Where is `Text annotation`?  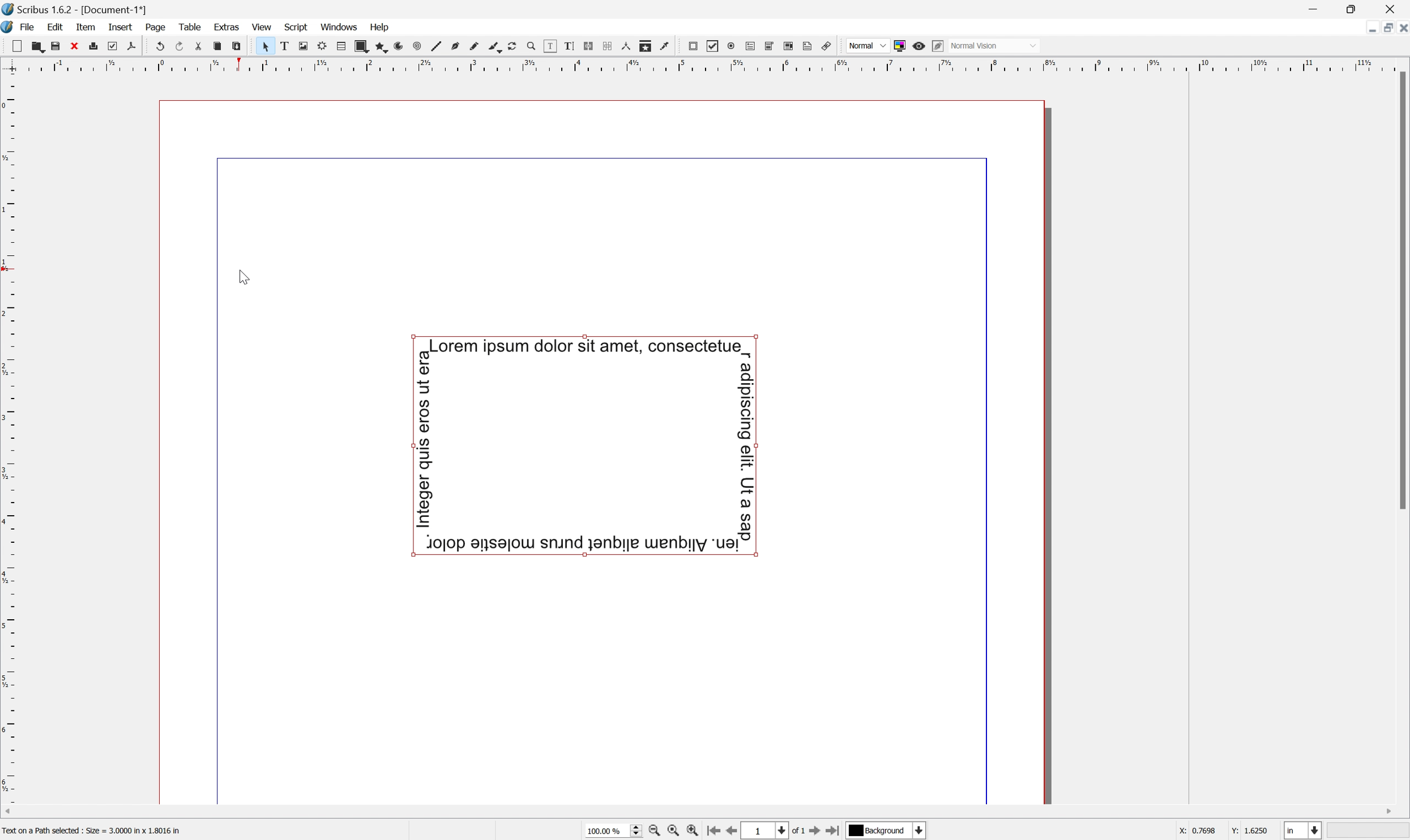
Text annotation is located at coordinates (810, 46).